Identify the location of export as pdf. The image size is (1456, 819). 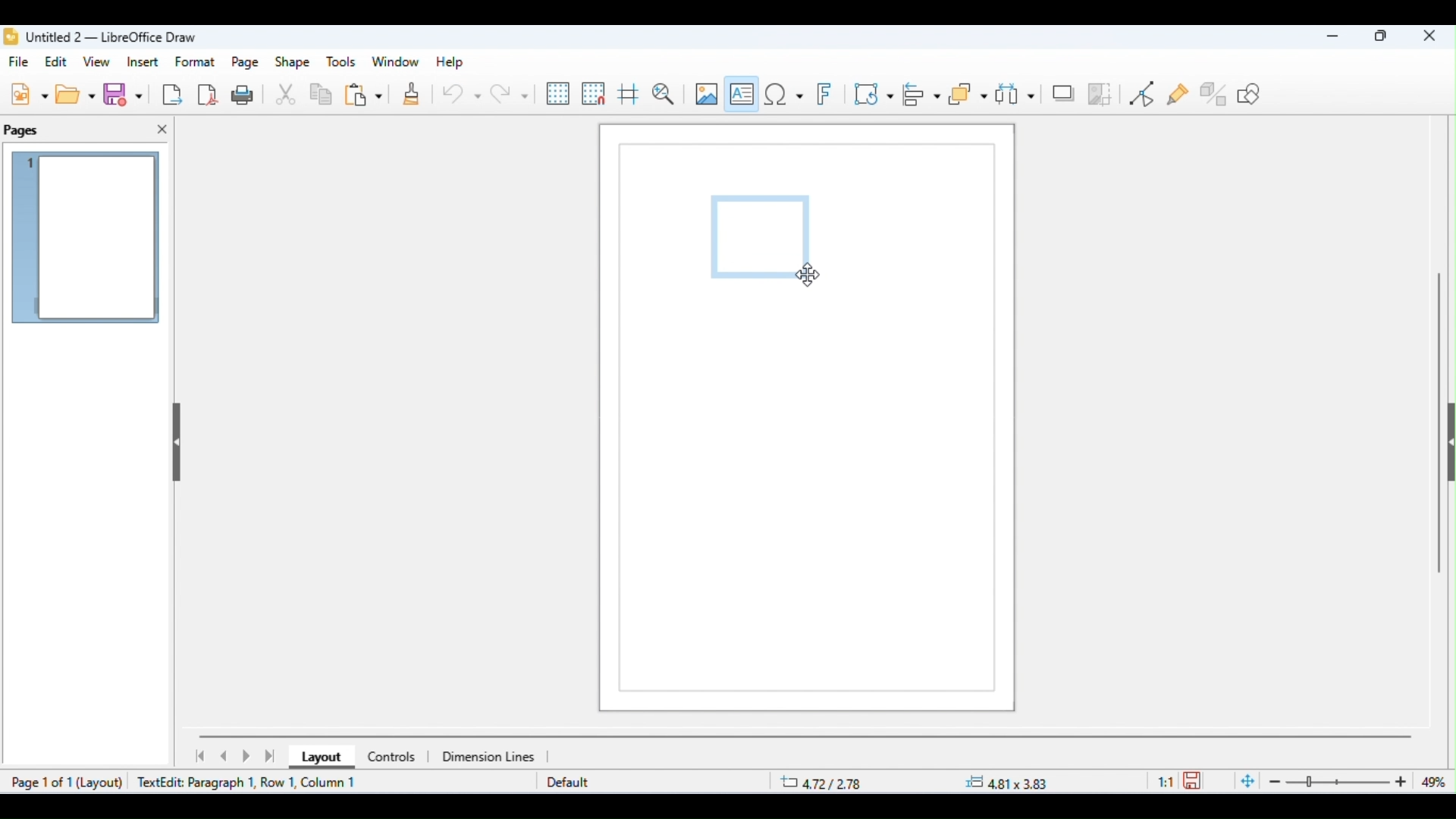
(209, 93).